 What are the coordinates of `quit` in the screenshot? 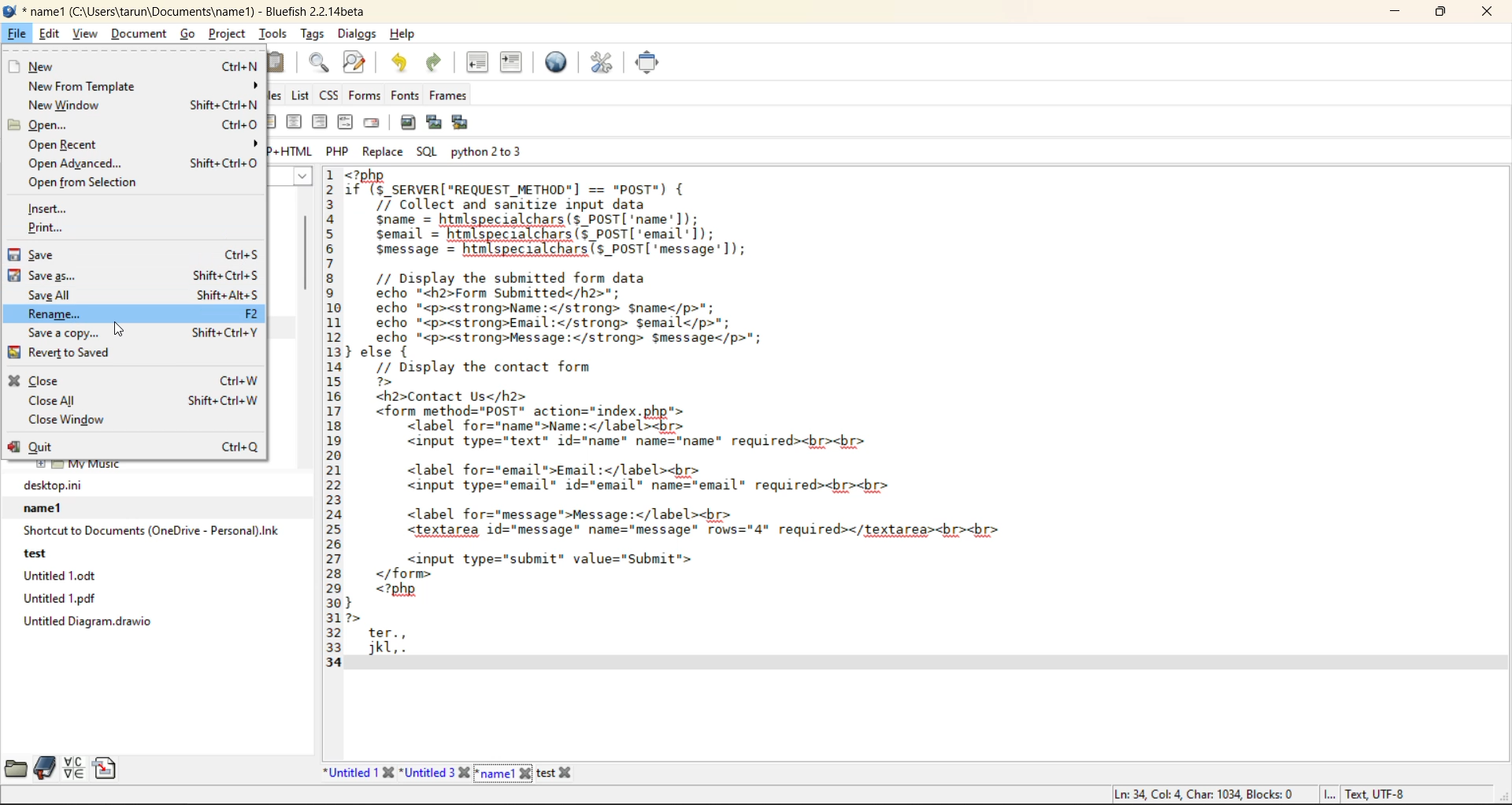 It's located at (132, 447).